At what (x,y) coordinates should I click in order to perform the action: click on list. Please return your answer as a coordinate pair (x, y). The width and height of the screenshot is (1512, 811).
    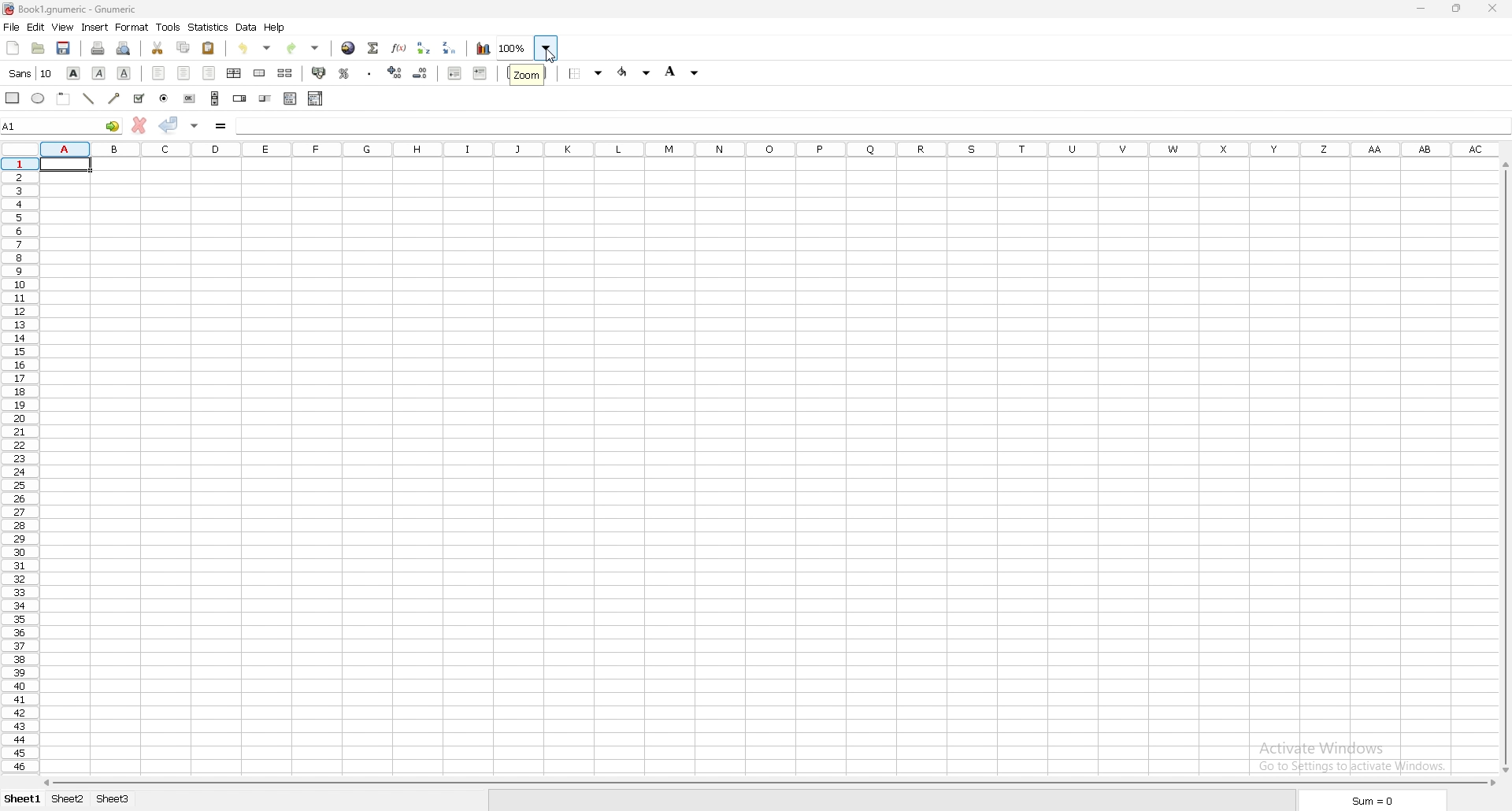
    Looking at the image, I should click on (291, 98).